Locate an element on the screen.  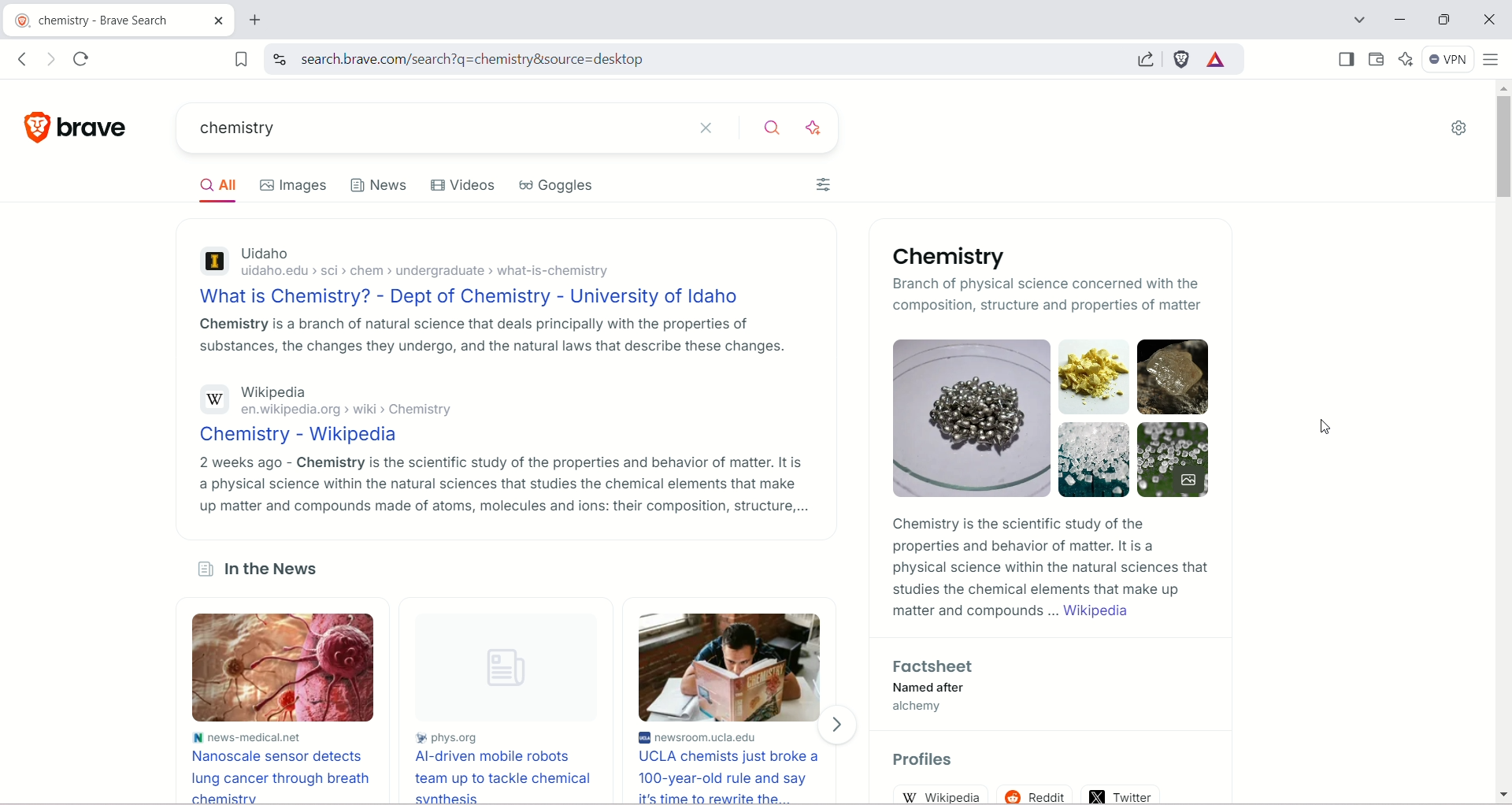
Images is located at coordinates (291, 185).